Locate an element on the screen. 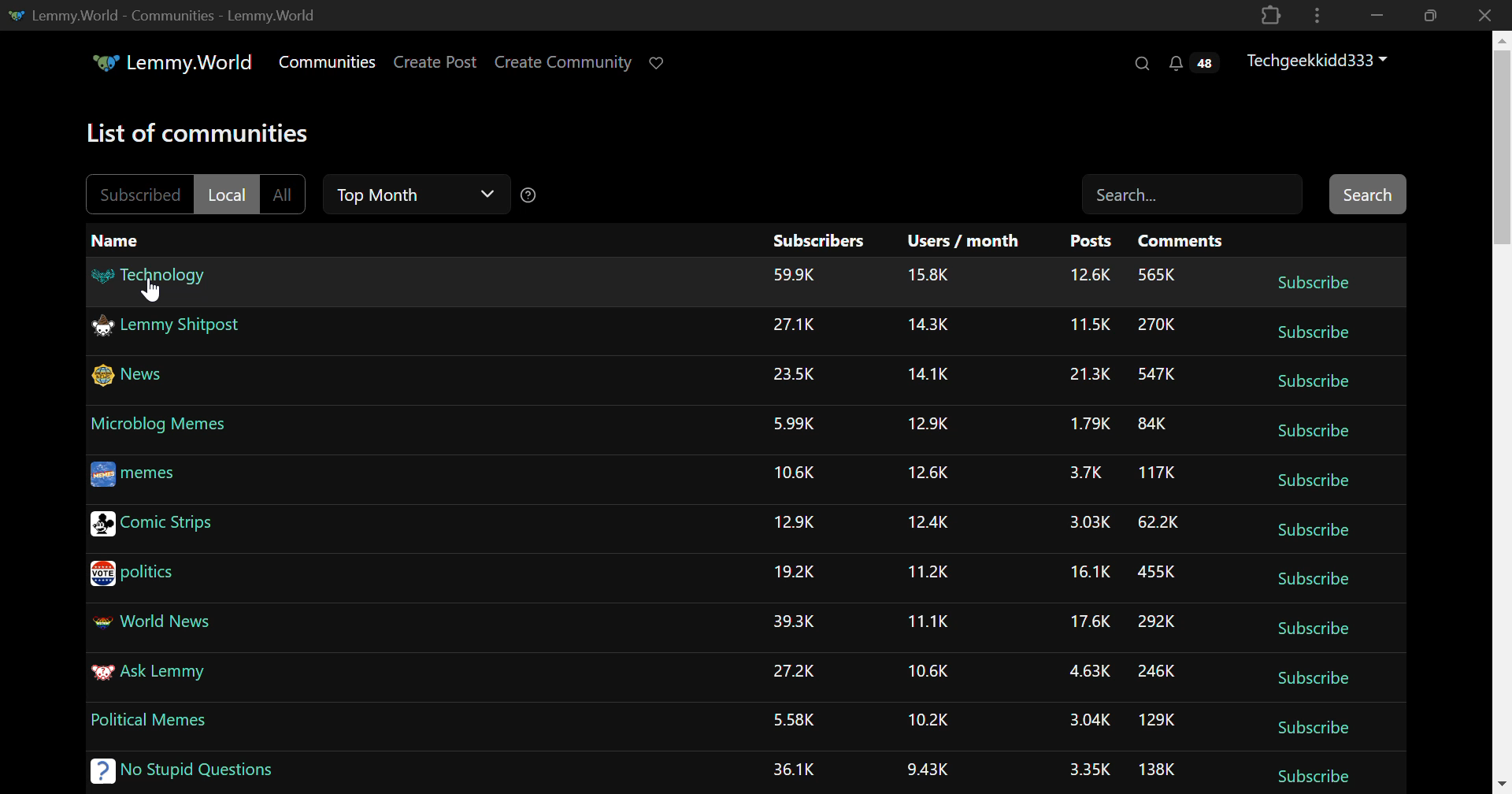 Image resolution: width=1512 pixels, height=794 pixels. Create Post is located at coordinates (438, 62).